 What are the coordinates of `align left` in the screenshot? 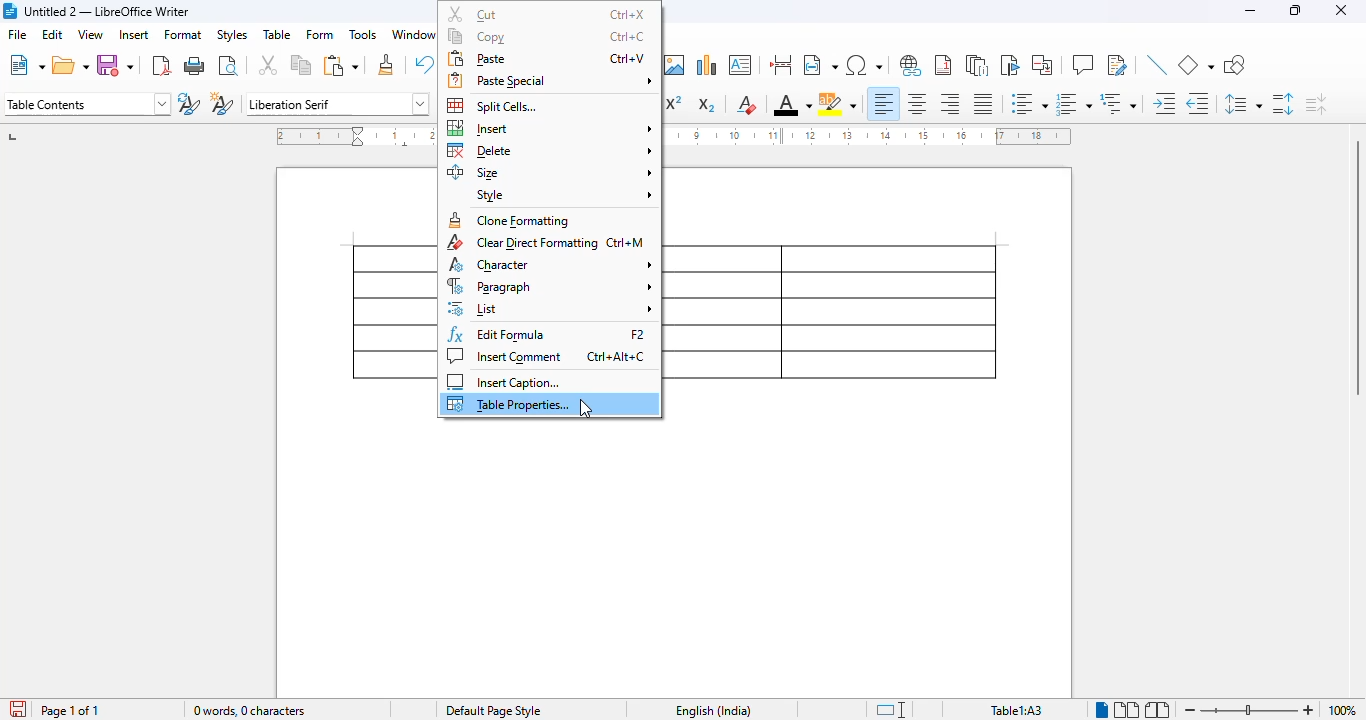 It's located at (884, 102).